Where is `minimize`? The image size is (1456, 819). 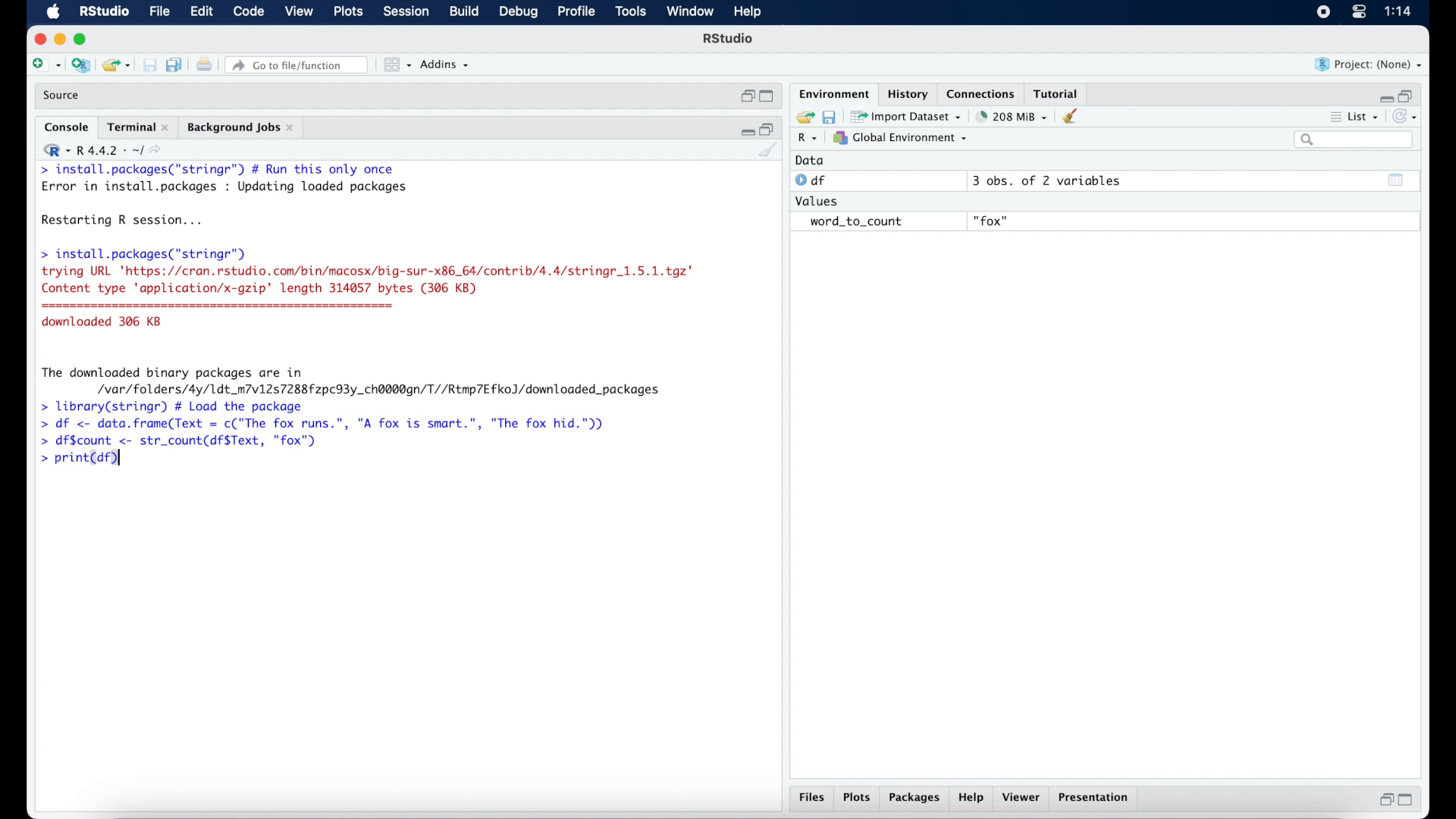
minimize is located at coordinates (745, 130).